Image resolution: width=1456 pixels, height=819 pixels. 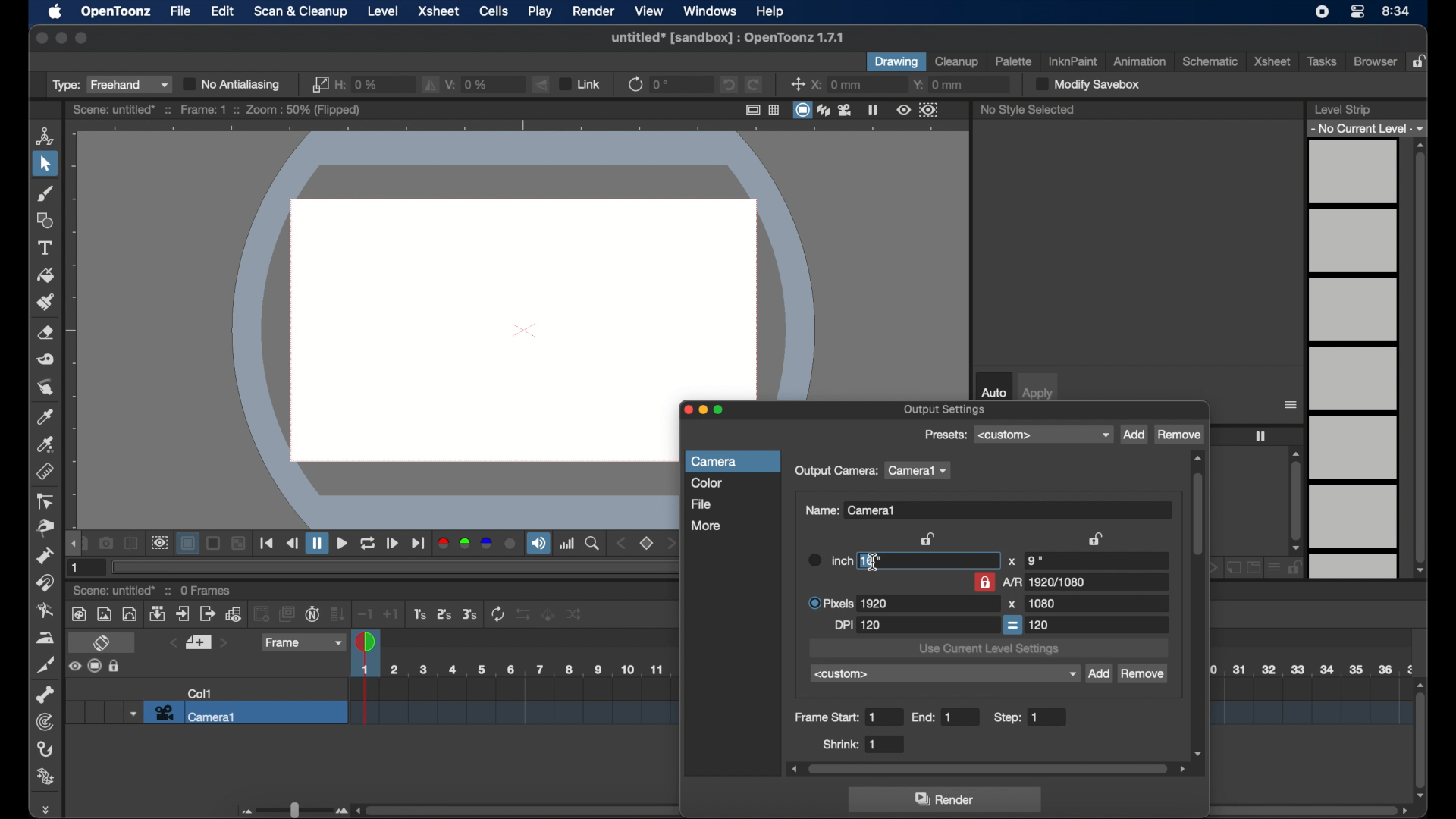 What do you see at coordinates (46, 444) in the screenshot?
I see `rgb picker tool` at bounding box center [46, 444].